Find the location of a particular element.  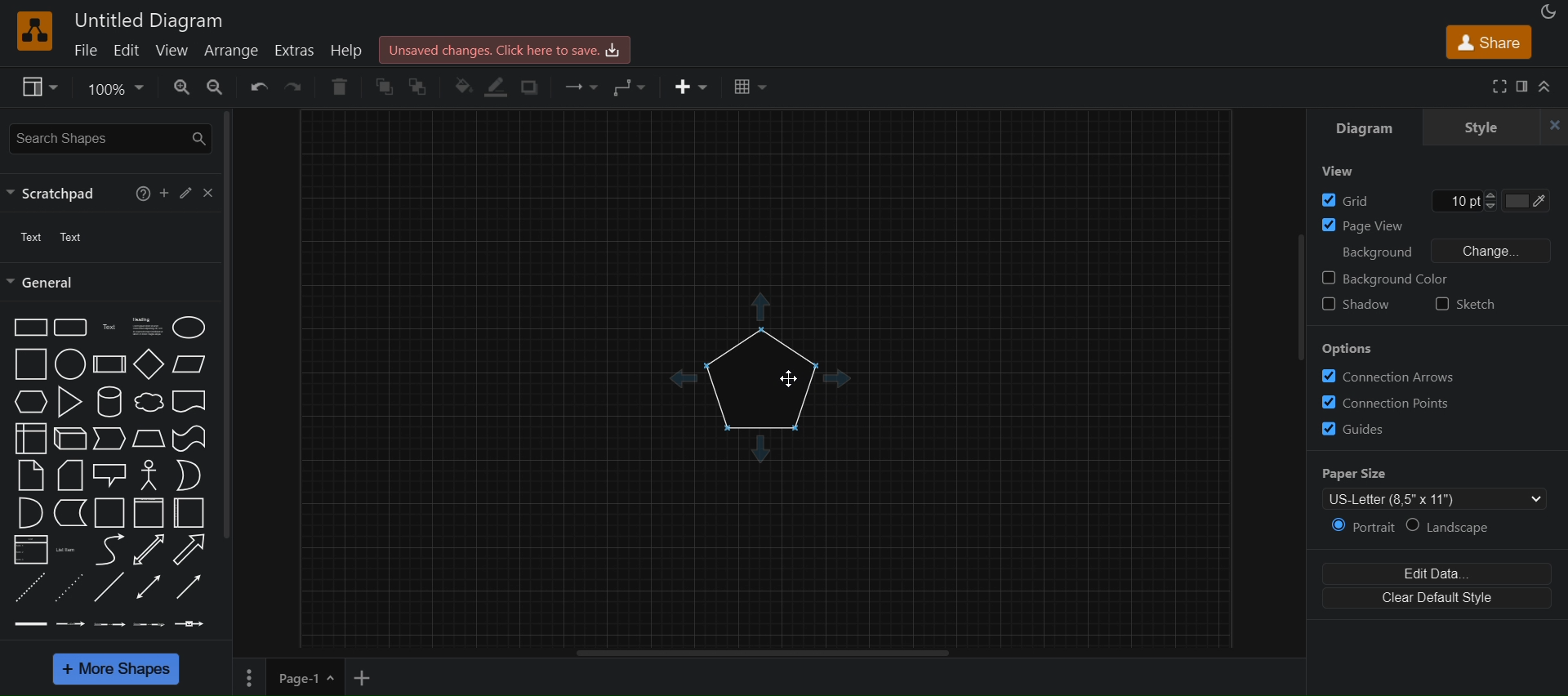

Sketch toggle is located at coordinates (1465, 304).